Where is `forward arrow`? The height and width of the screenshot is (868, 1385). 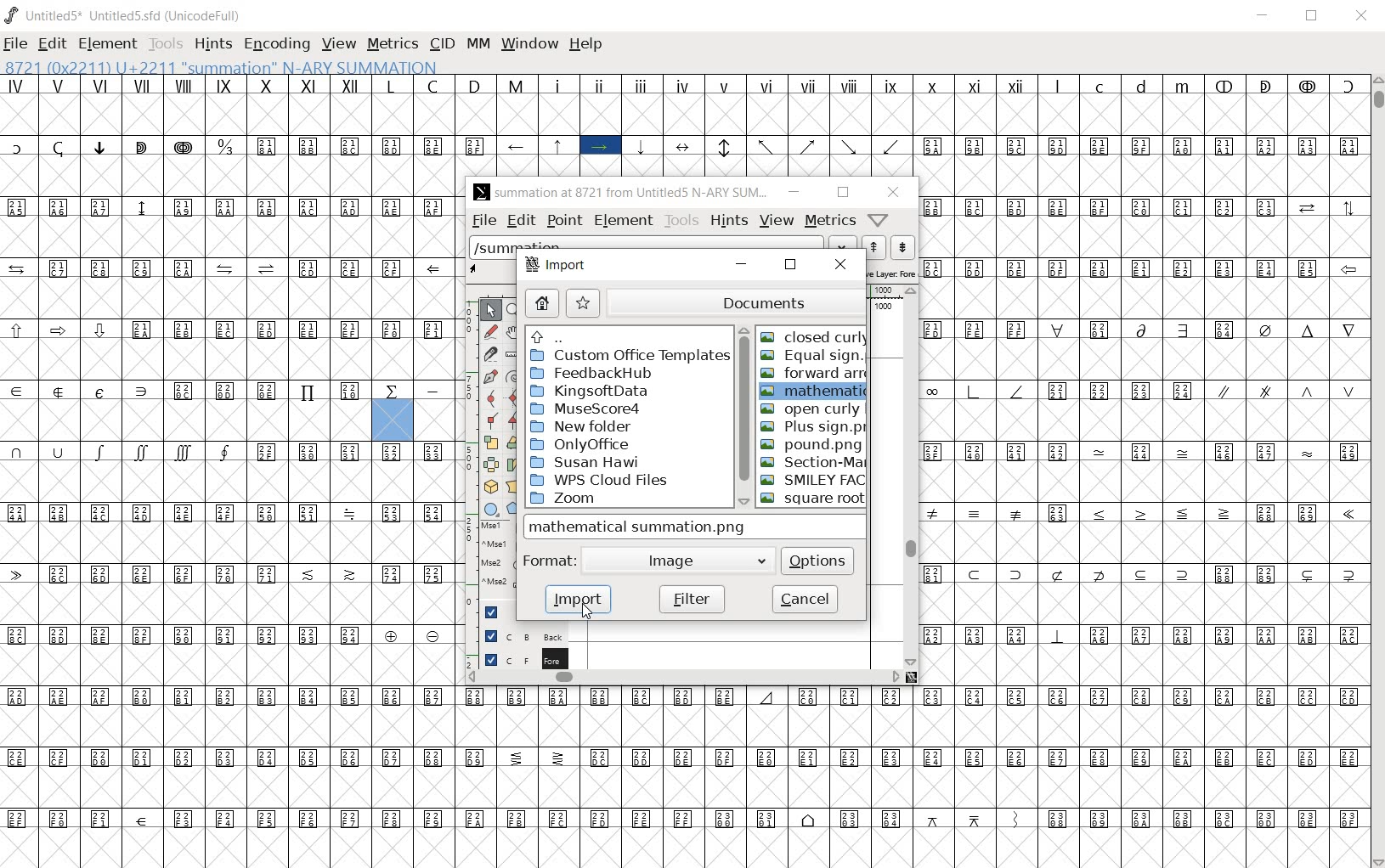 forward arrow is located at coordinates (815, 373).